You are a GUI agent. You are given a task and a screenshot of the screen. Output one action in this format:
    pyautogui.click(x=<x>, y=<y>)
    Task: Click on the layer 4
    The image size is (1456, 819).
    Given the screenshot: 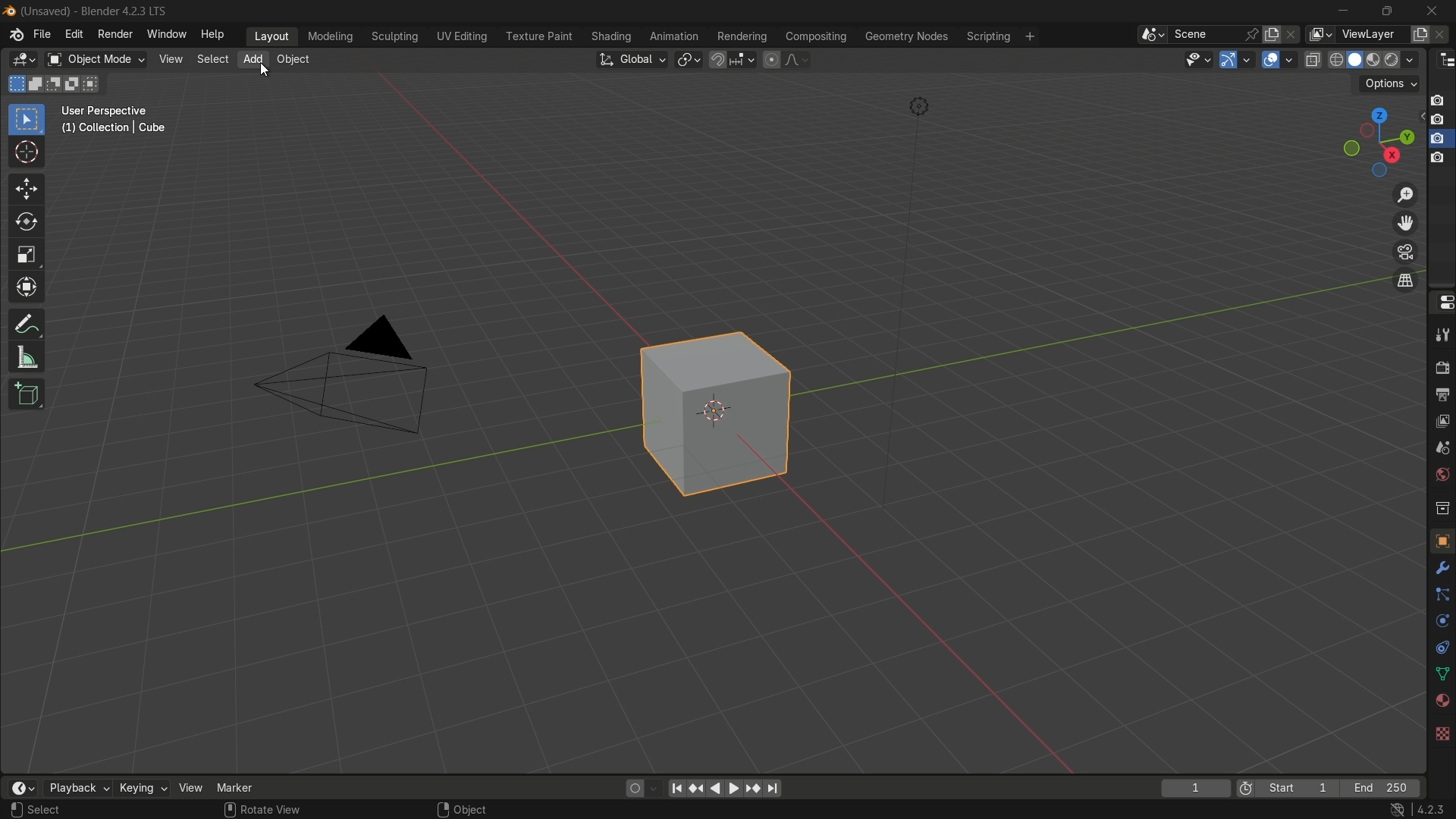 What is the action you would take?
    pyautogui.click(x=1438, y=159)
    